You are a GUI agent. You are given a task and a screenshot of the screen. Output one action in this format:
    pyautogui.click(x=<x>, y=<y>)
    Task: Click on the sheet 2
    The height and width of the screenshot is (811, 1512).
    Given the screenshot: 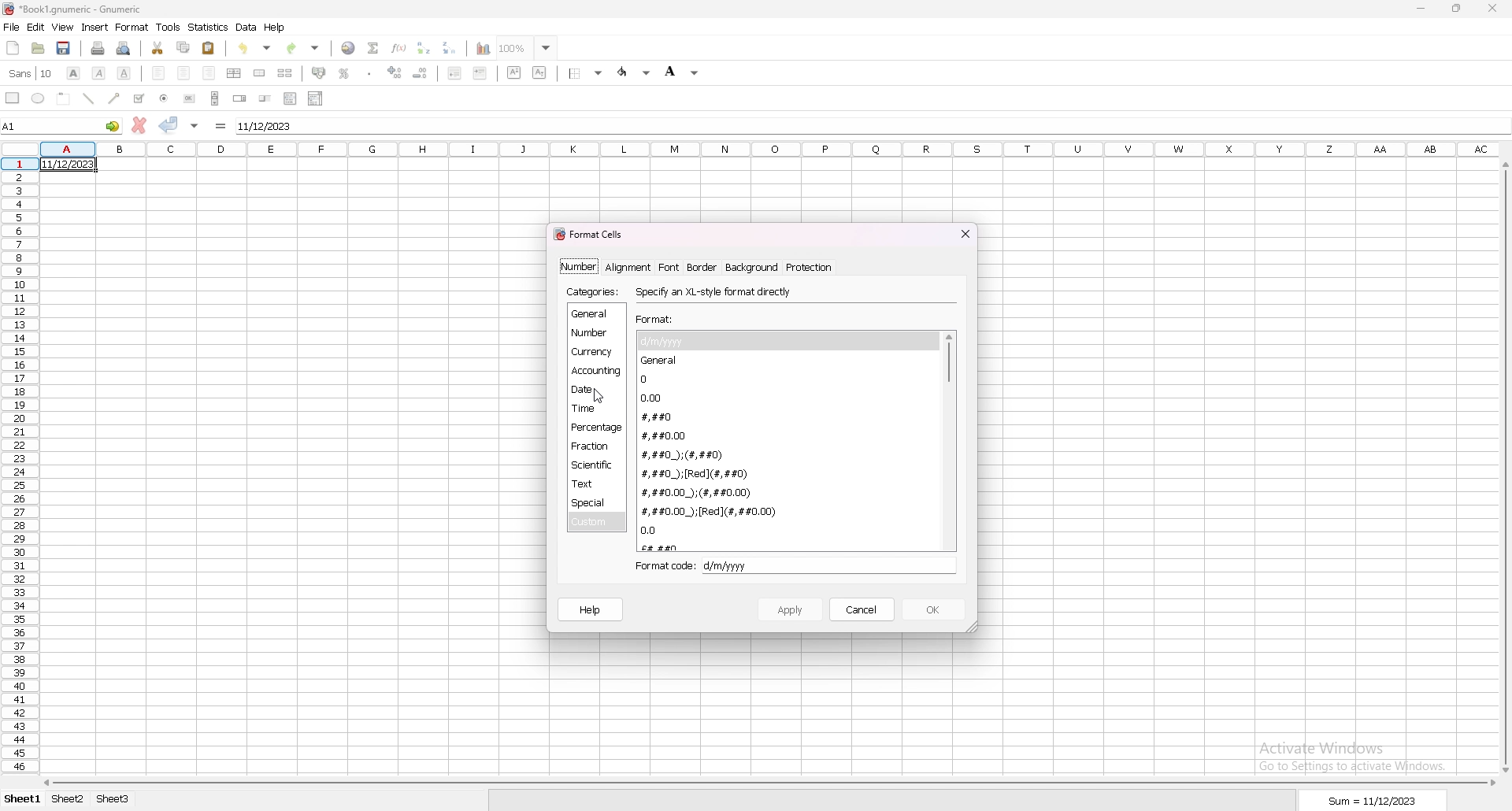 What is the action you would take?
    pyautogui.click(x=67, y=799)
    